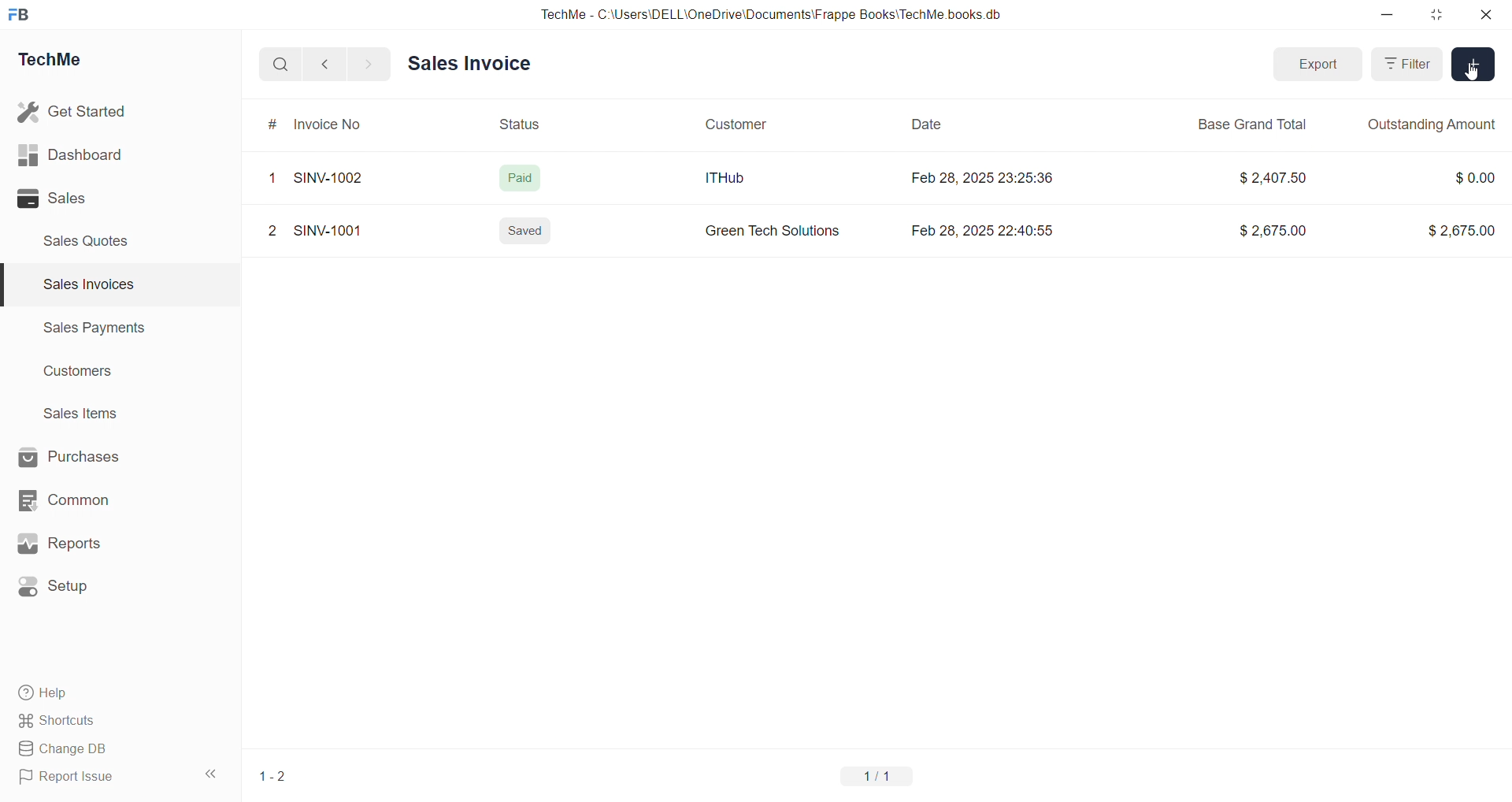  Describe the element at coordinates (80, 499) in the screenshot. I see `EB Common` at that location.